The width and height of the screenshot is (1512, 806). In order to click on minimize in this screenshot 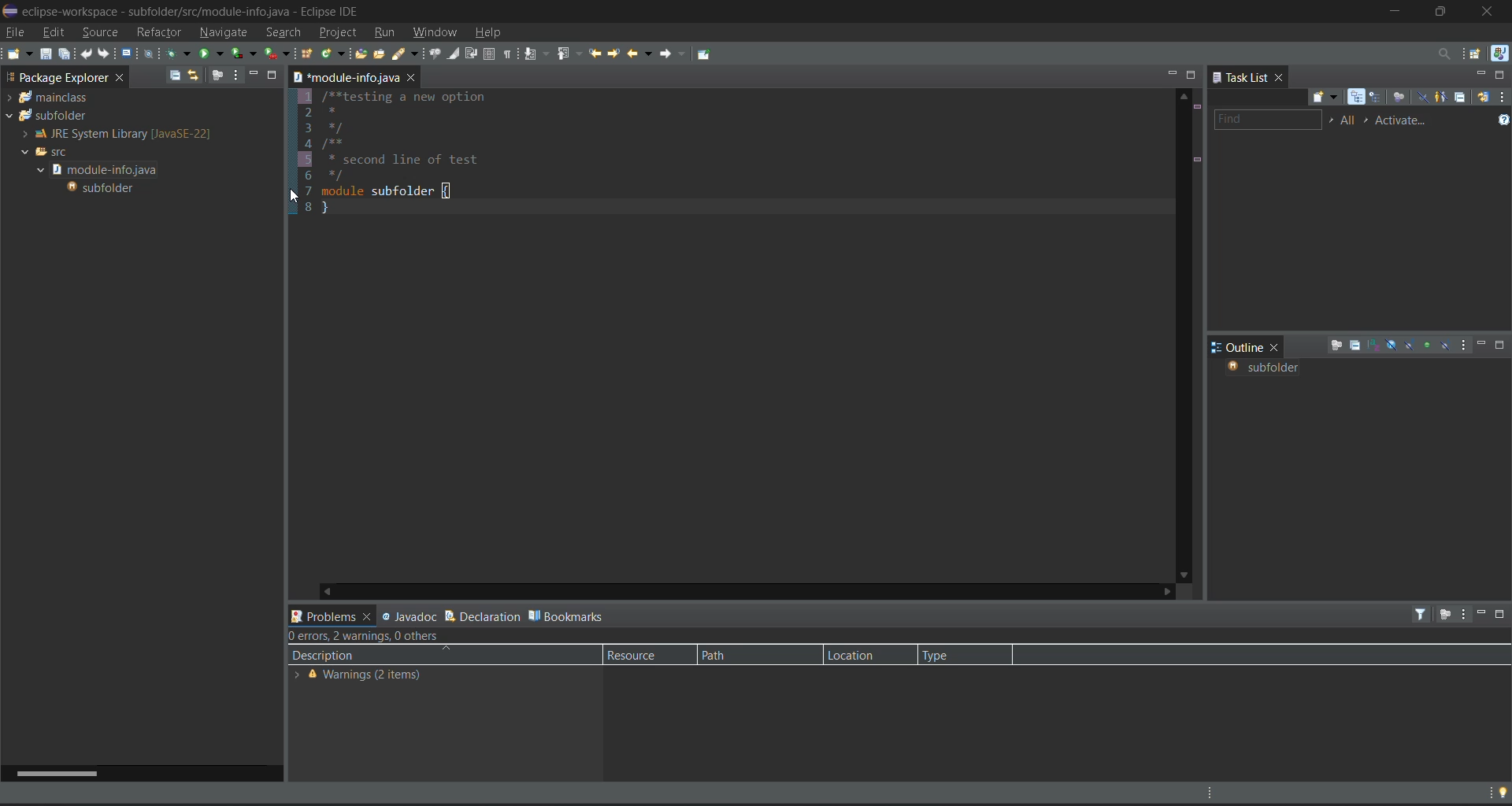, I will do `click(1475, 73)`.